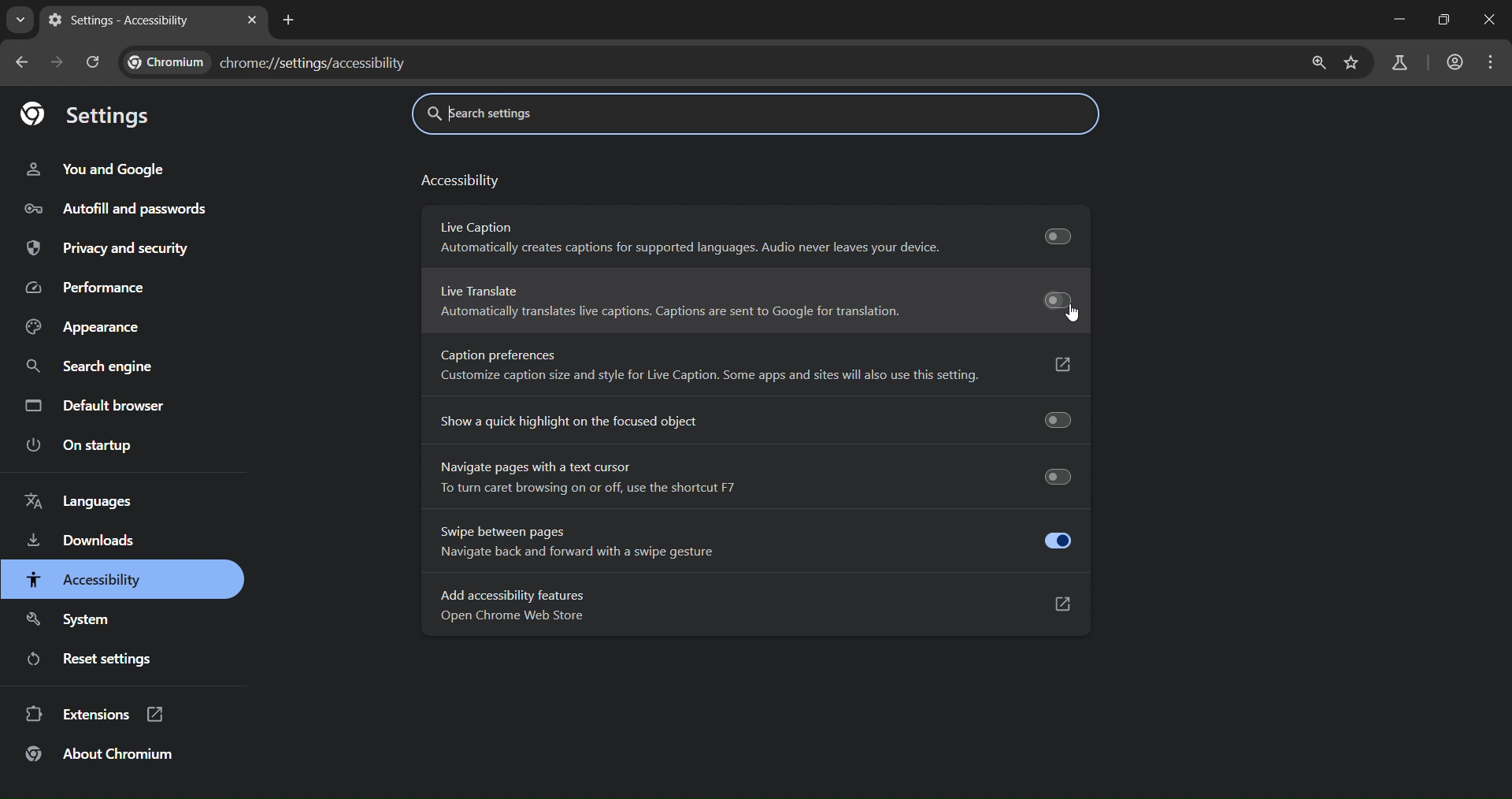 The height and width of the screenshot is (799, 1512). What do you see at coordinates (1395, 20) in the screenshot?
I see `minimize` at bounding box center [1395, 20].